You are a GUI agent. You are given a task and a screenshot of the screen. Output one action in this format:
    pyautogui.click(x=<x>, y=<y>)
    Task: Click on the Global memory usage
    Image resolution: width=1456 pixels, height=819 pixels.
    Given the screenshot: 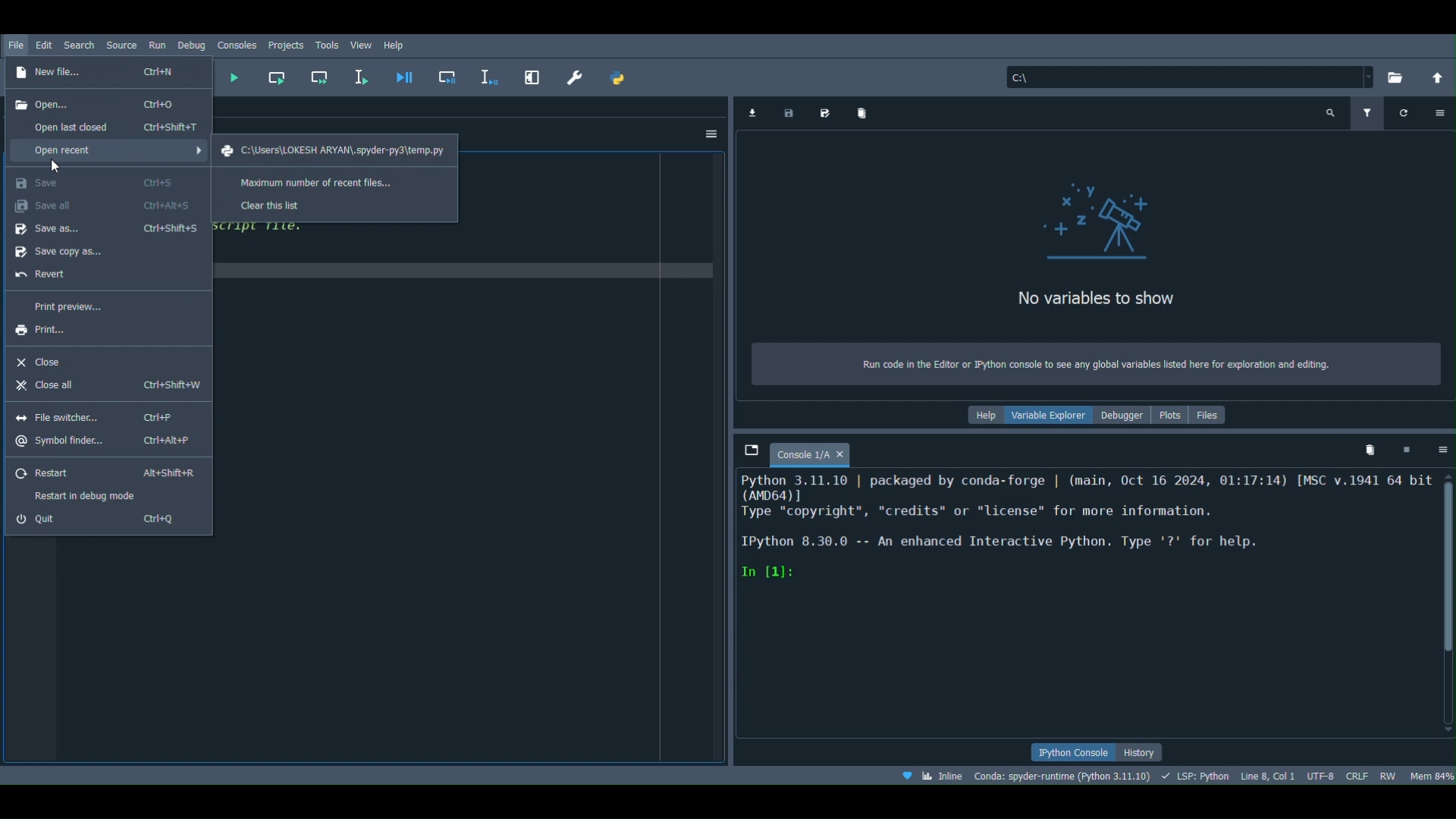 What is the action you would take?
    pyautogui.click(x=1432, y=775)
    